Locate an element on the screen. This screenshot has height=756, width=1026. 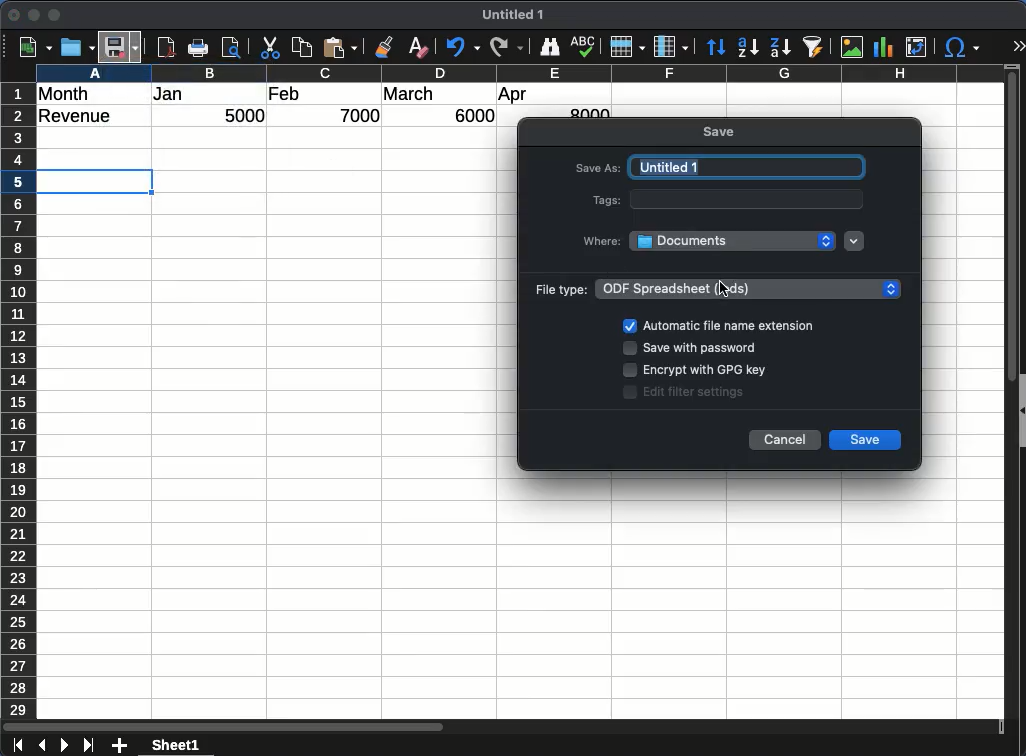
edit filter settings is located at coordinates (699, 392).